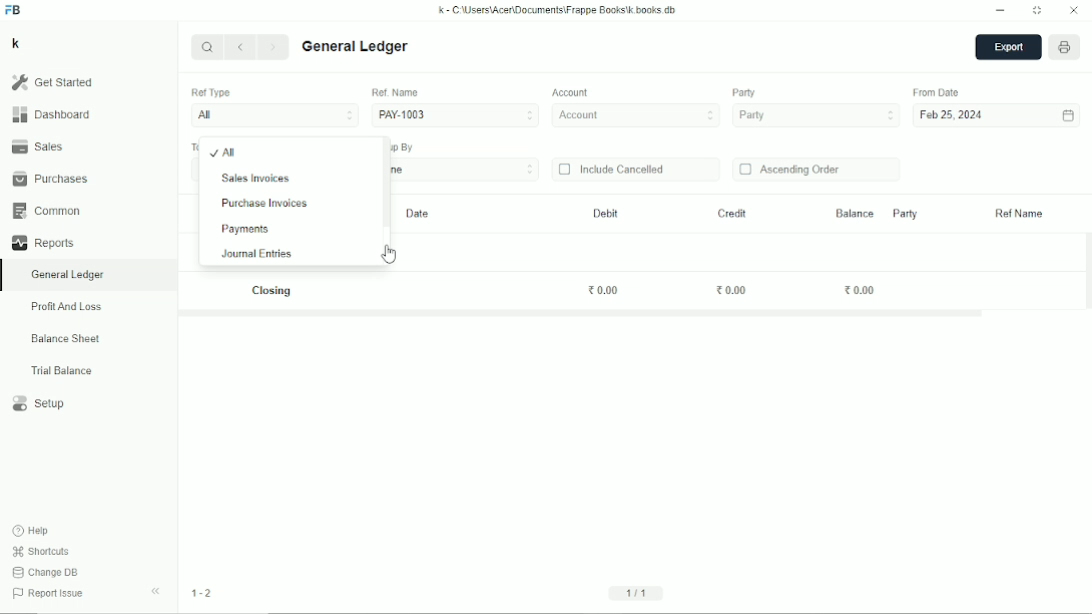 The width and height of the screenshot is (1092, 614). Describe the element at coordinates (42, 552) in the screenshot. I see `Shortcuts` at that location.